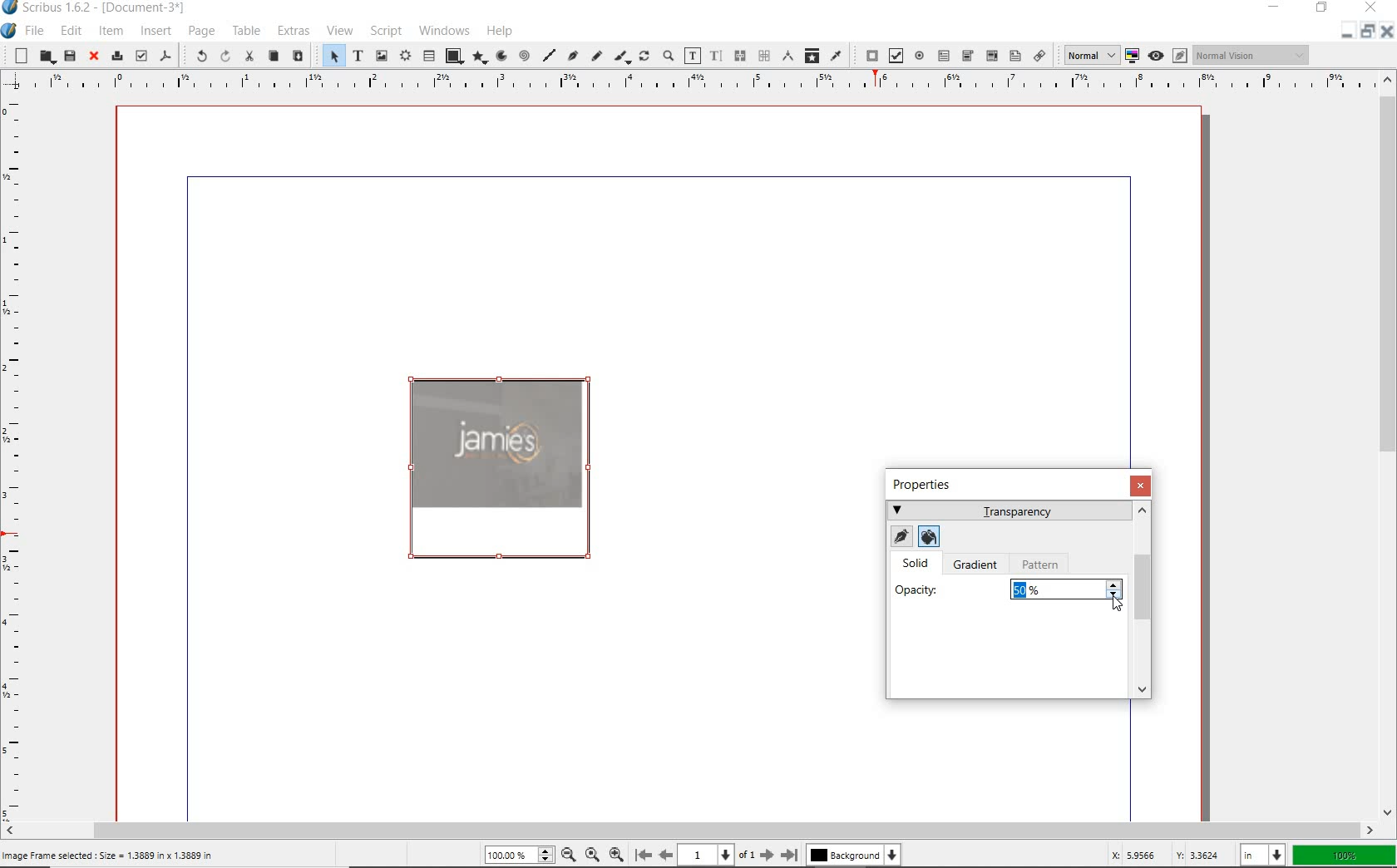  What do you see at coordinates (837, 56) in the screenshot?
I see `eye dropper` at bounding box center [837, 56].